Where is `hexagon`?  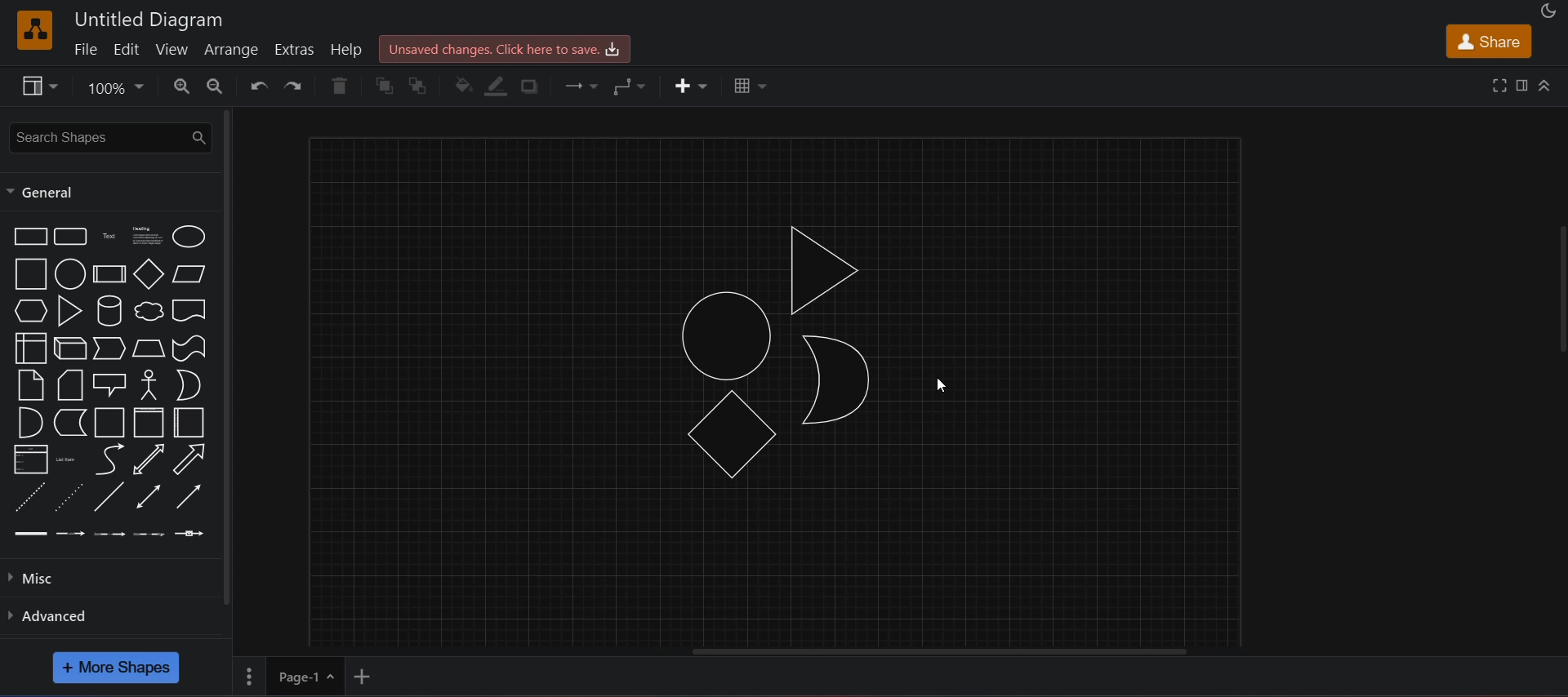 hexagon is located at coordinates (28, 311).